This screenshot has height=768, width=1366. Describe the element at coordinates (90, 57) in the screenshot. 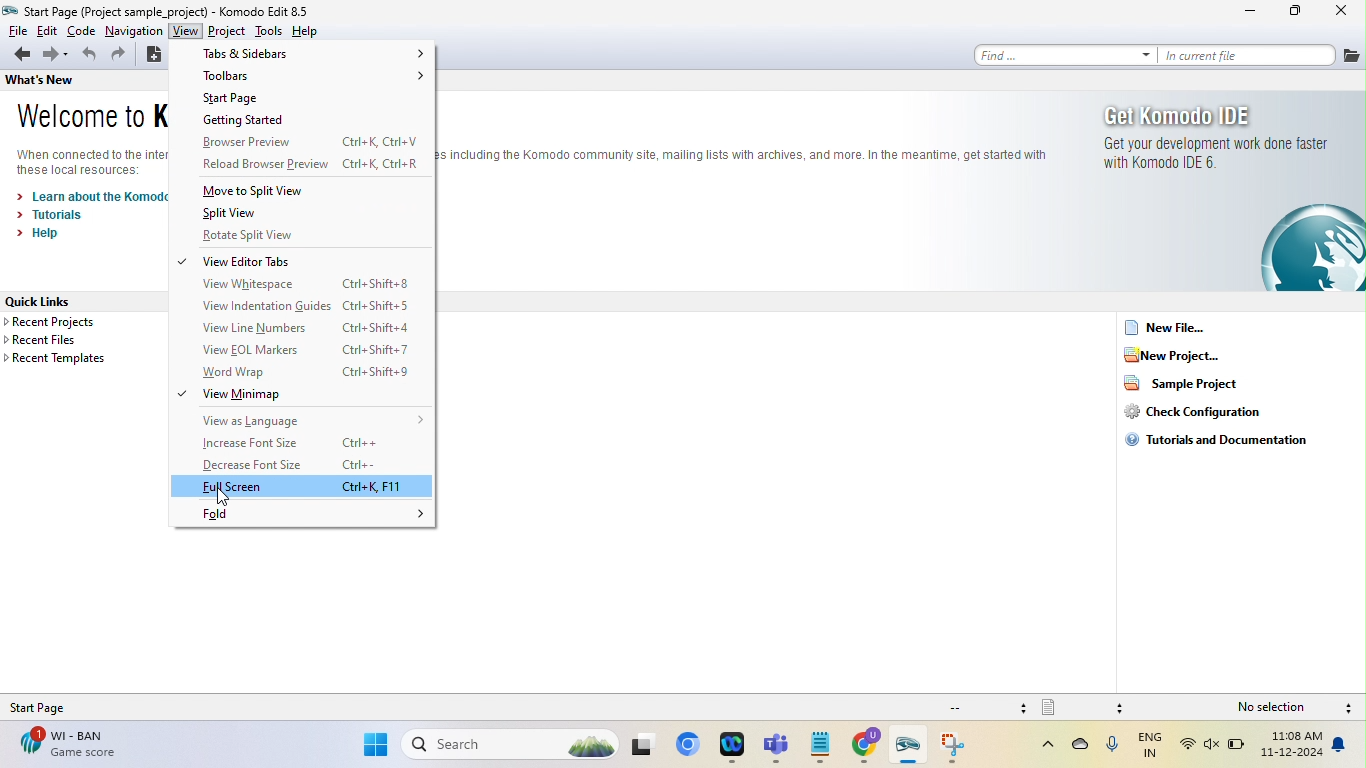

I see `undo` at that location.